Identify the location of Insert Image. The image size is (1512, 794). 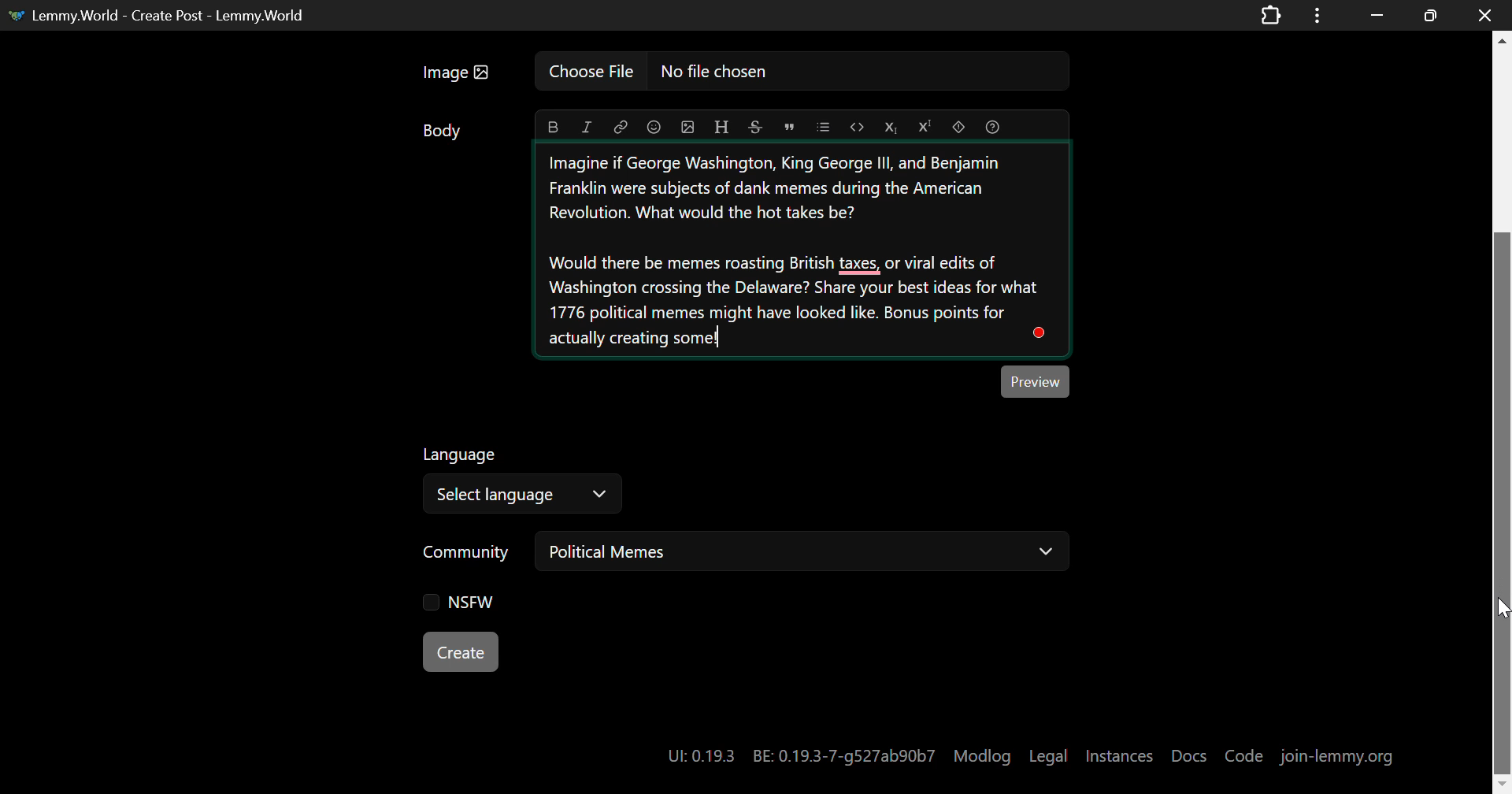
(688, 127).